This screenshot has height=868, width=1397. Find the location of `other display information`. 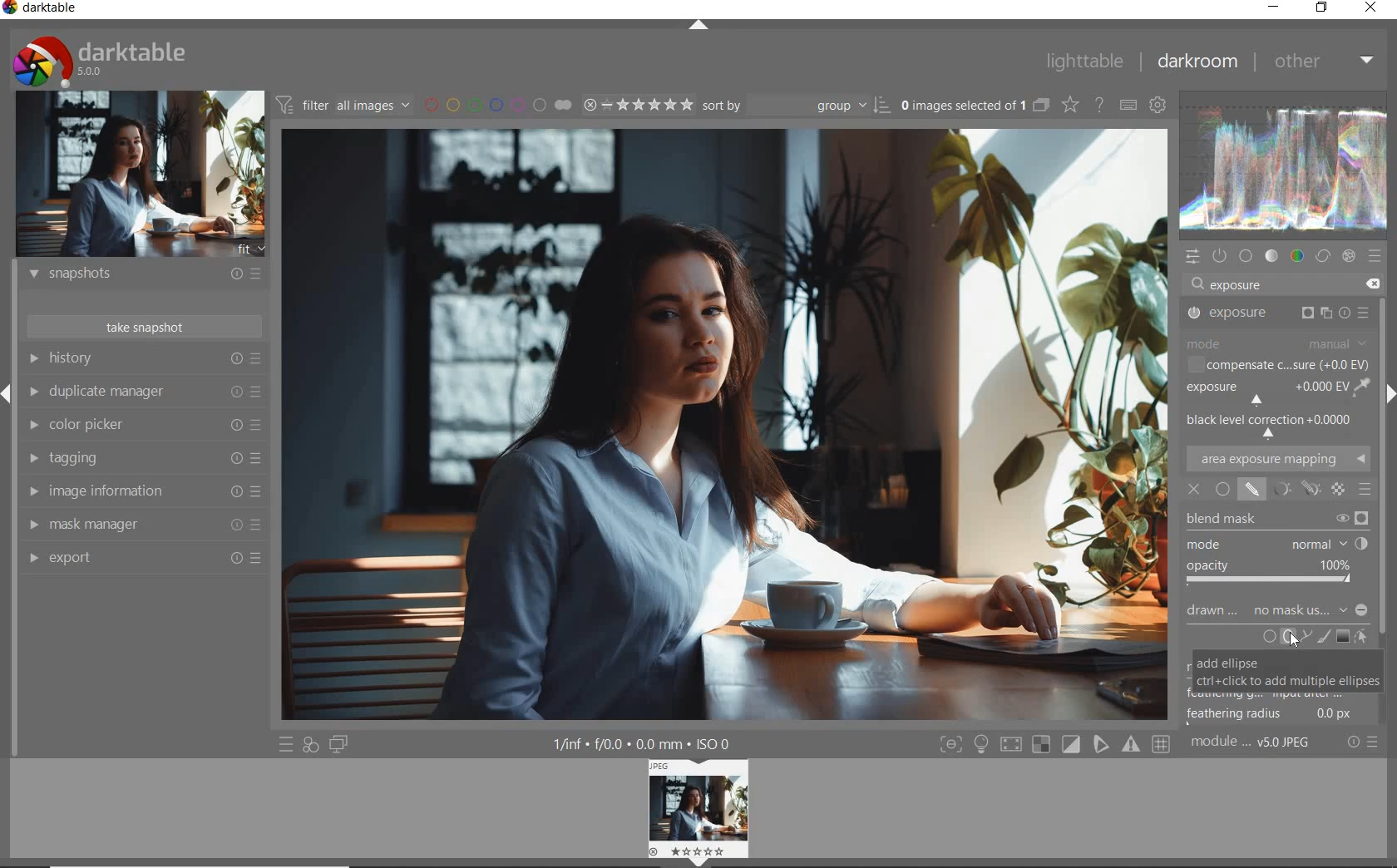

other display information is located at coordinates (642, 743).